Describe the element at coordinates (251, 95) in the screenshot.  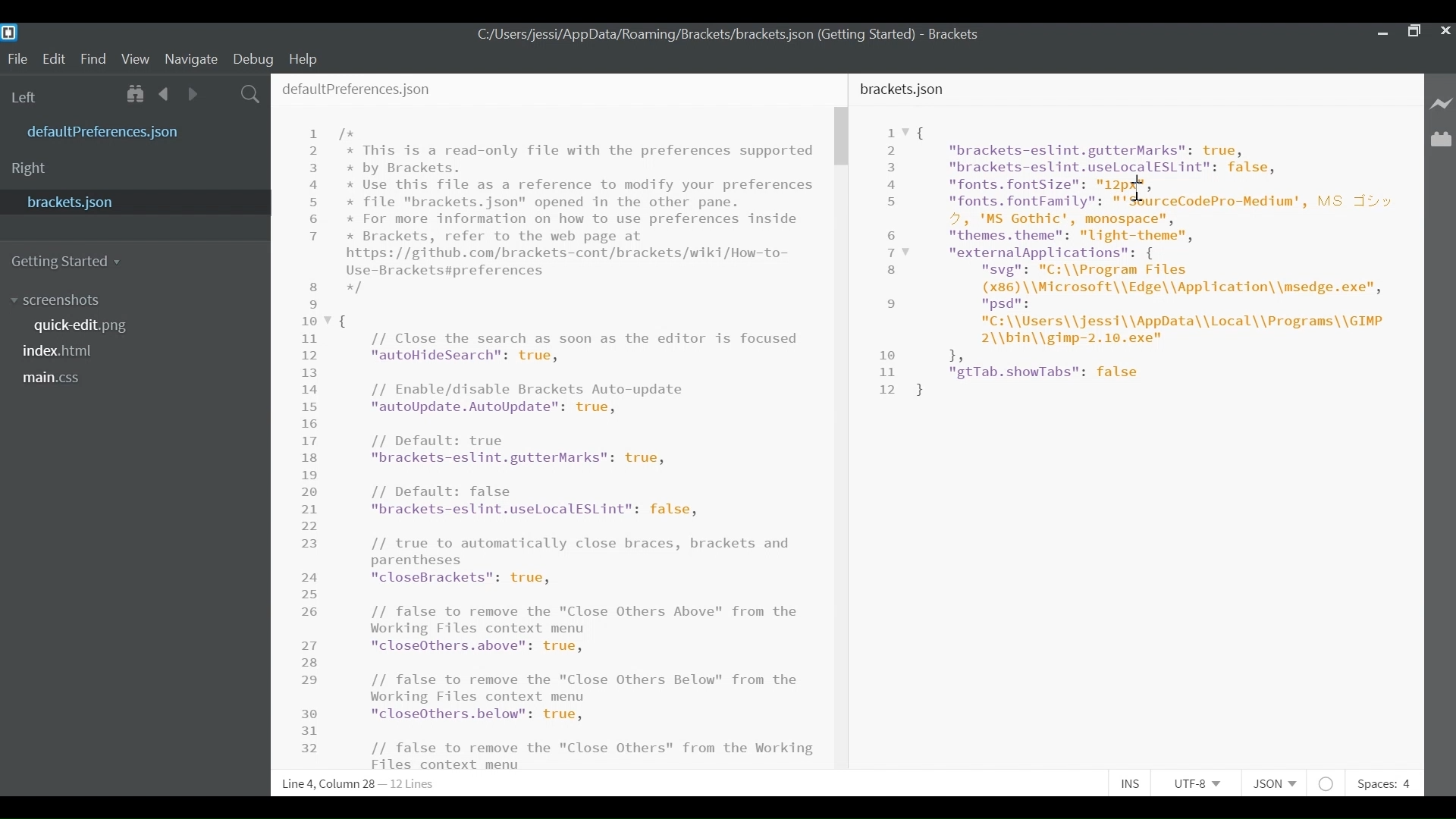
I see `Search icon` at that location.